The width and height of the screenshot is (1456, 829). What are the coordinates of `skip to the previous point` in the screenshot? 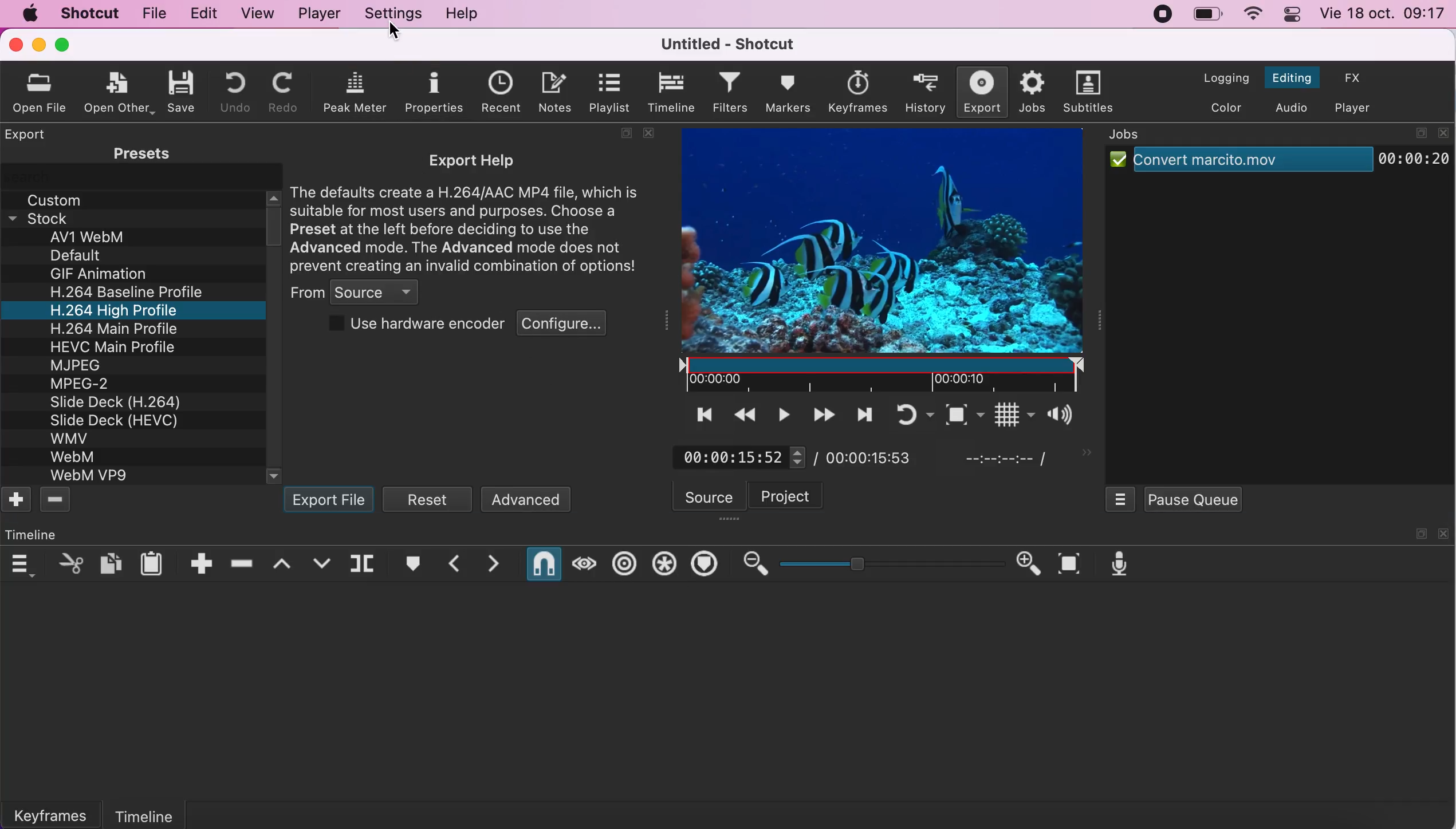 It's located at (698, 414).